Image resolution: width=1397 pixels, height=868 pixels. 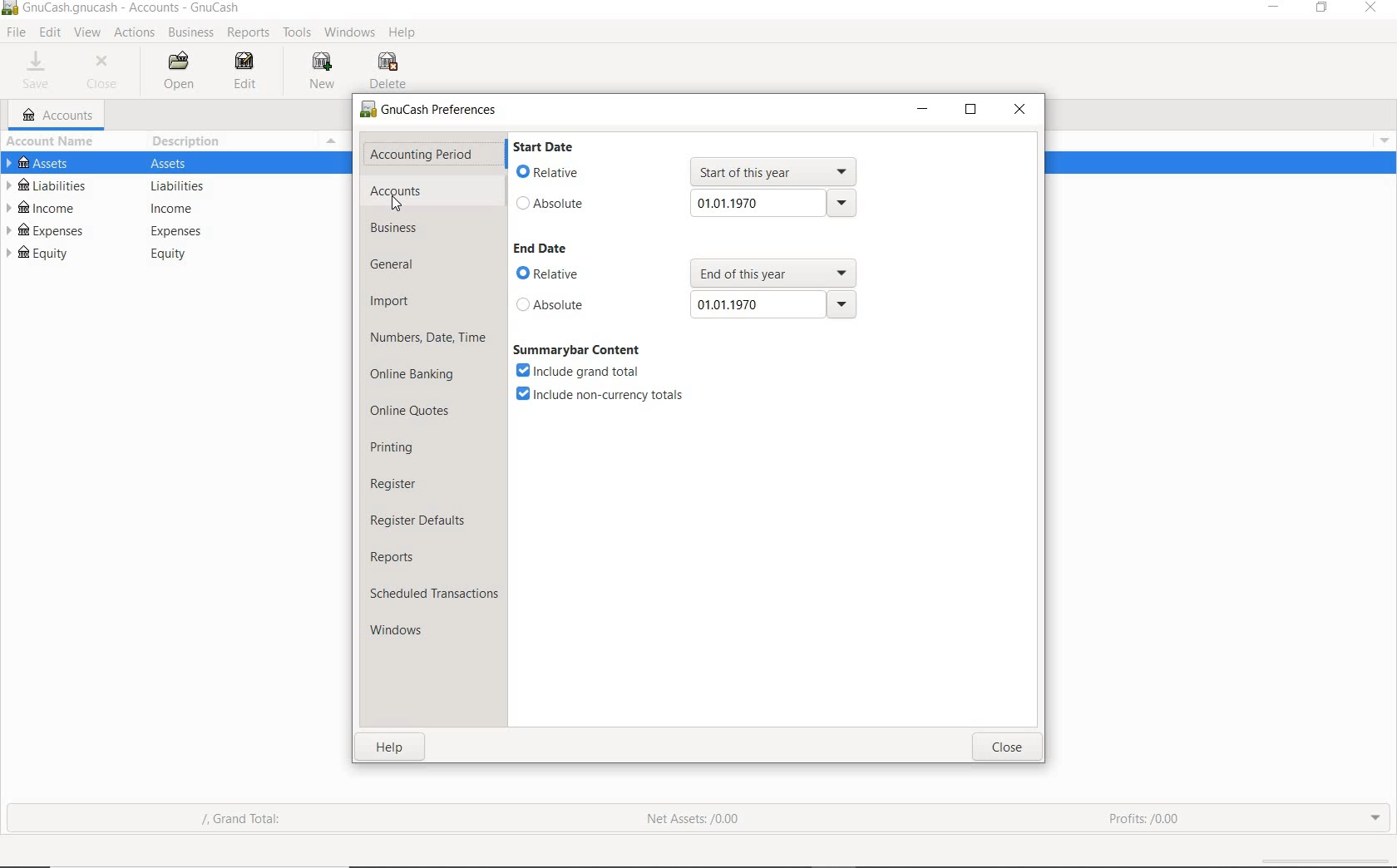 What do you see at coordinates (42, 163) in the screenshot?
I see `ASSETS` at bounding box center [42, 163].